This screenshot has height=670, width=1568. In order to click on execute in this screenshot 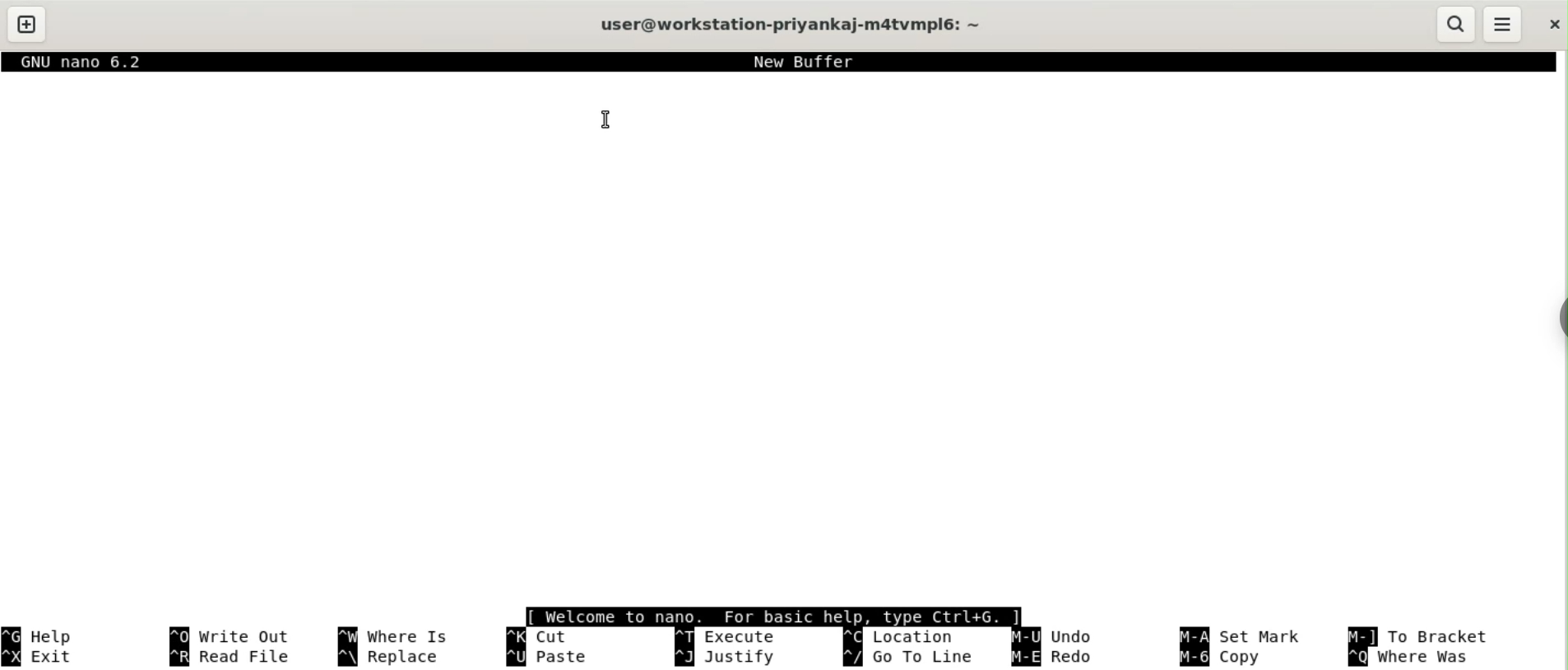, I will do `click(725, 636)`.